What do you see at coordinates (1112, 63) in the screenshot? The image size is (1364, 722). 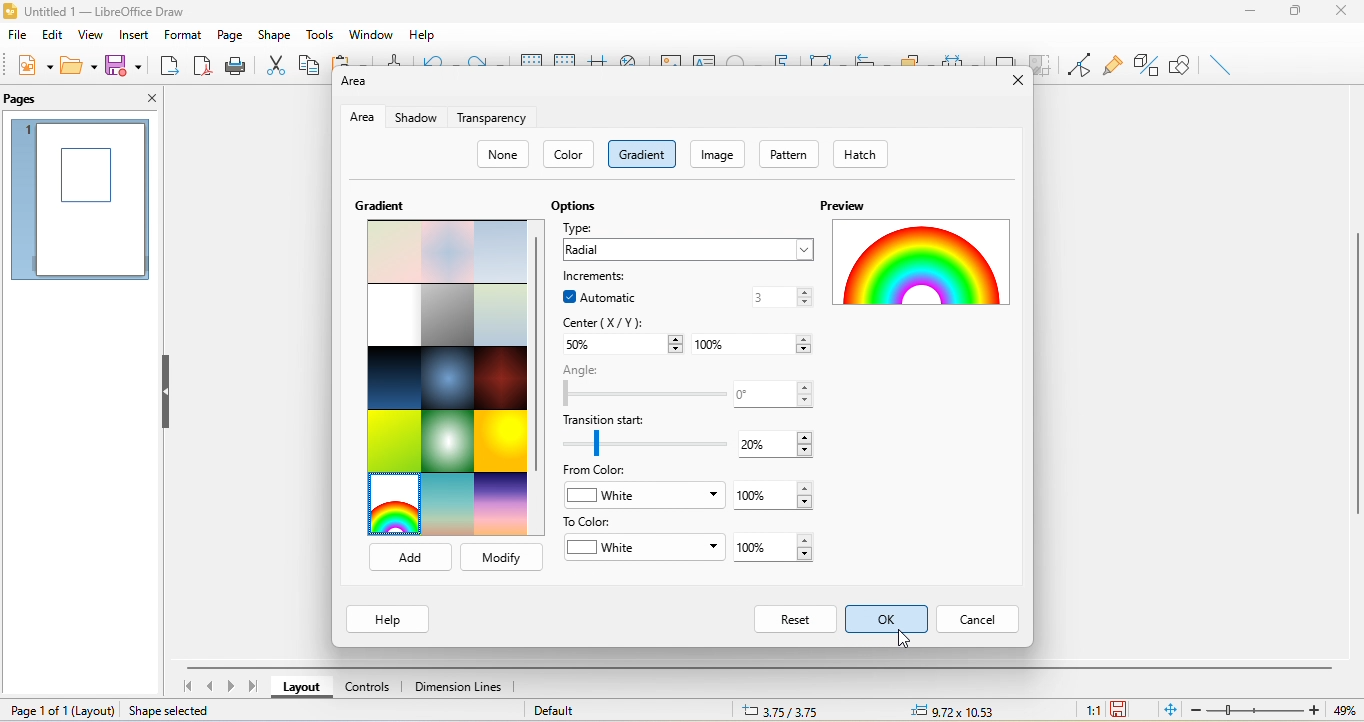 I see `glue point function` at bounding box center [1112, 63].